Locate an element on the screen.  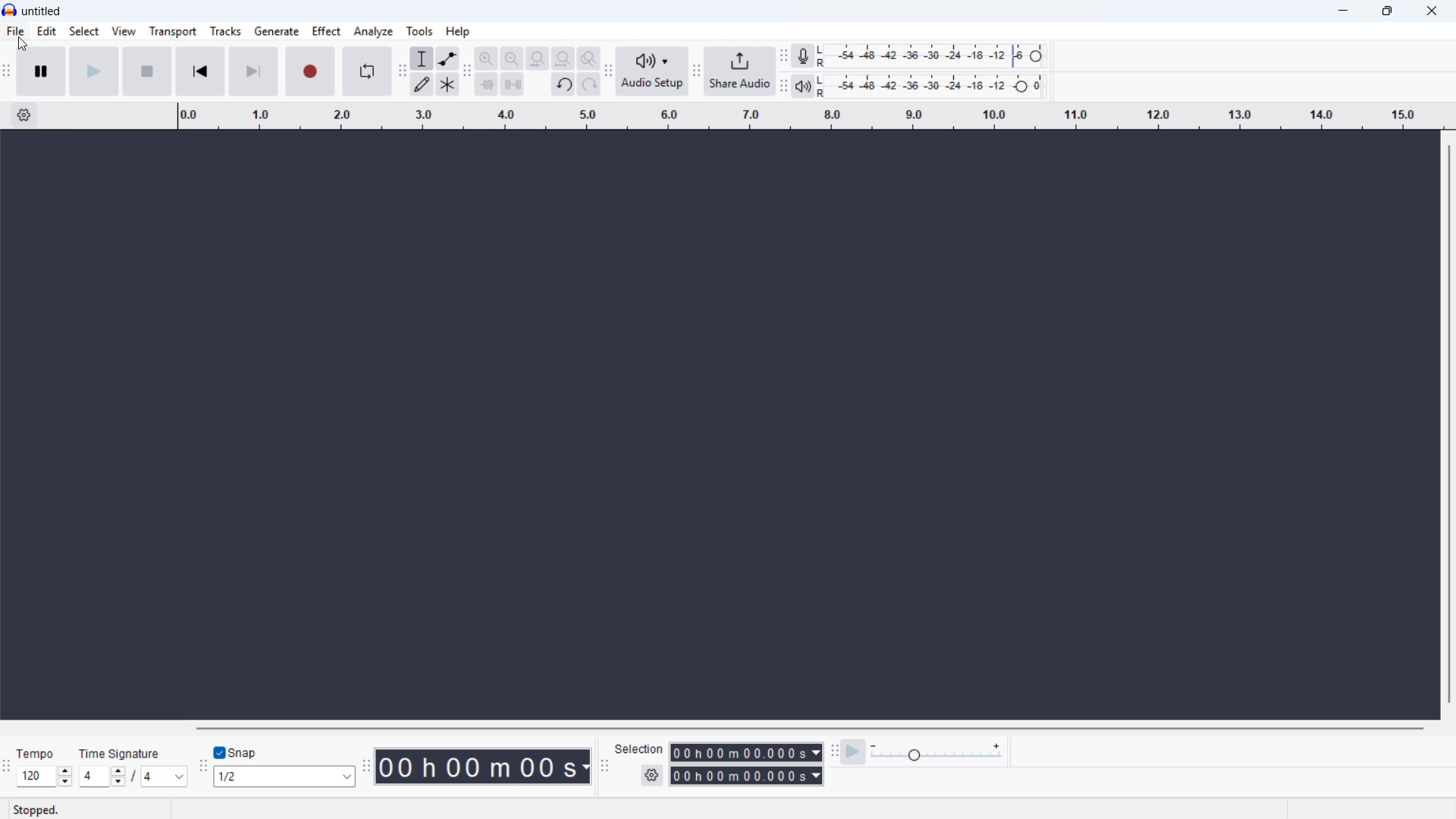
Fit project to width  is located at coordinates (538, 59).